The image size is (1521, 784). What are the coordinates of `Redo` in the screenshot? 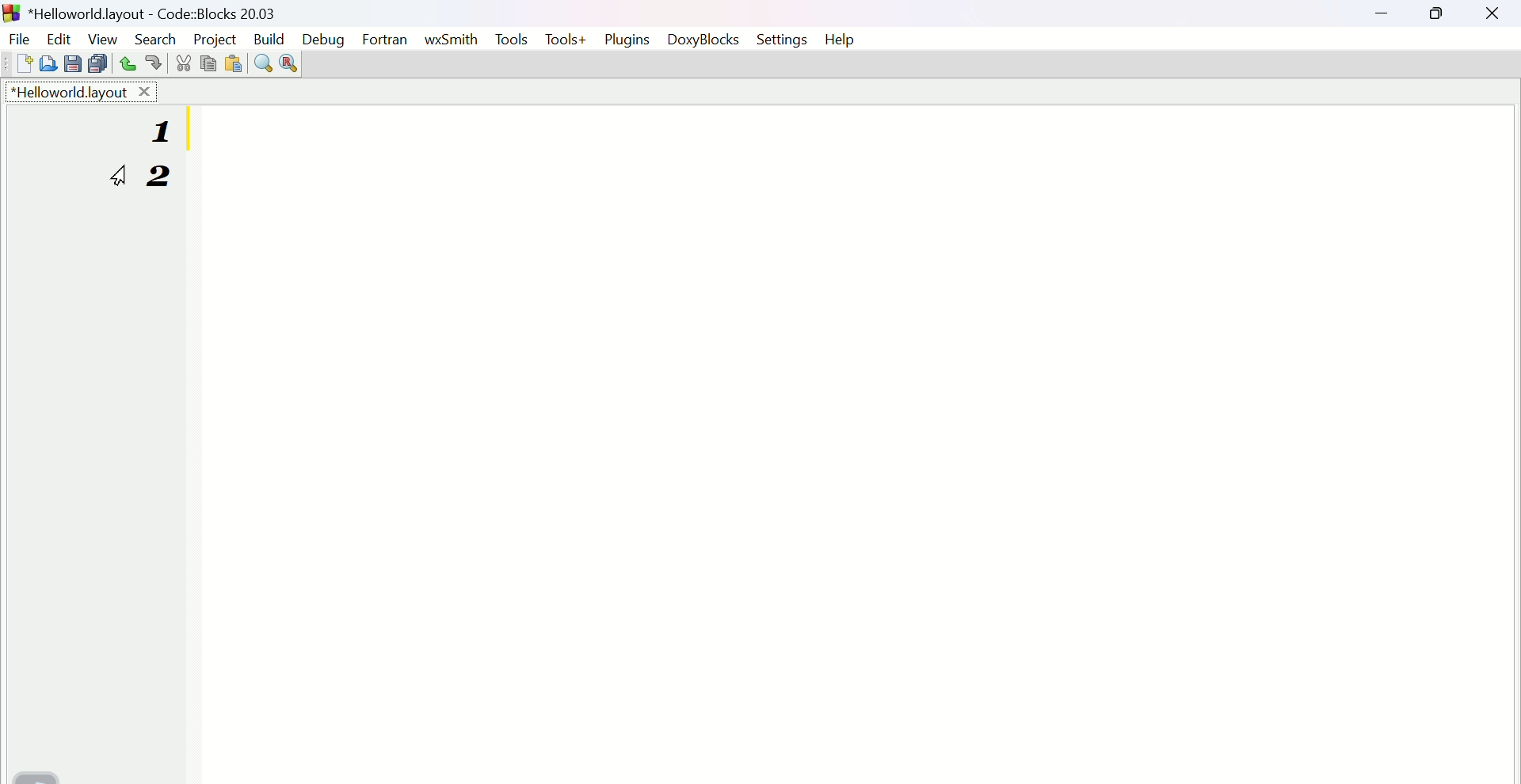 It's located at (151, 64).